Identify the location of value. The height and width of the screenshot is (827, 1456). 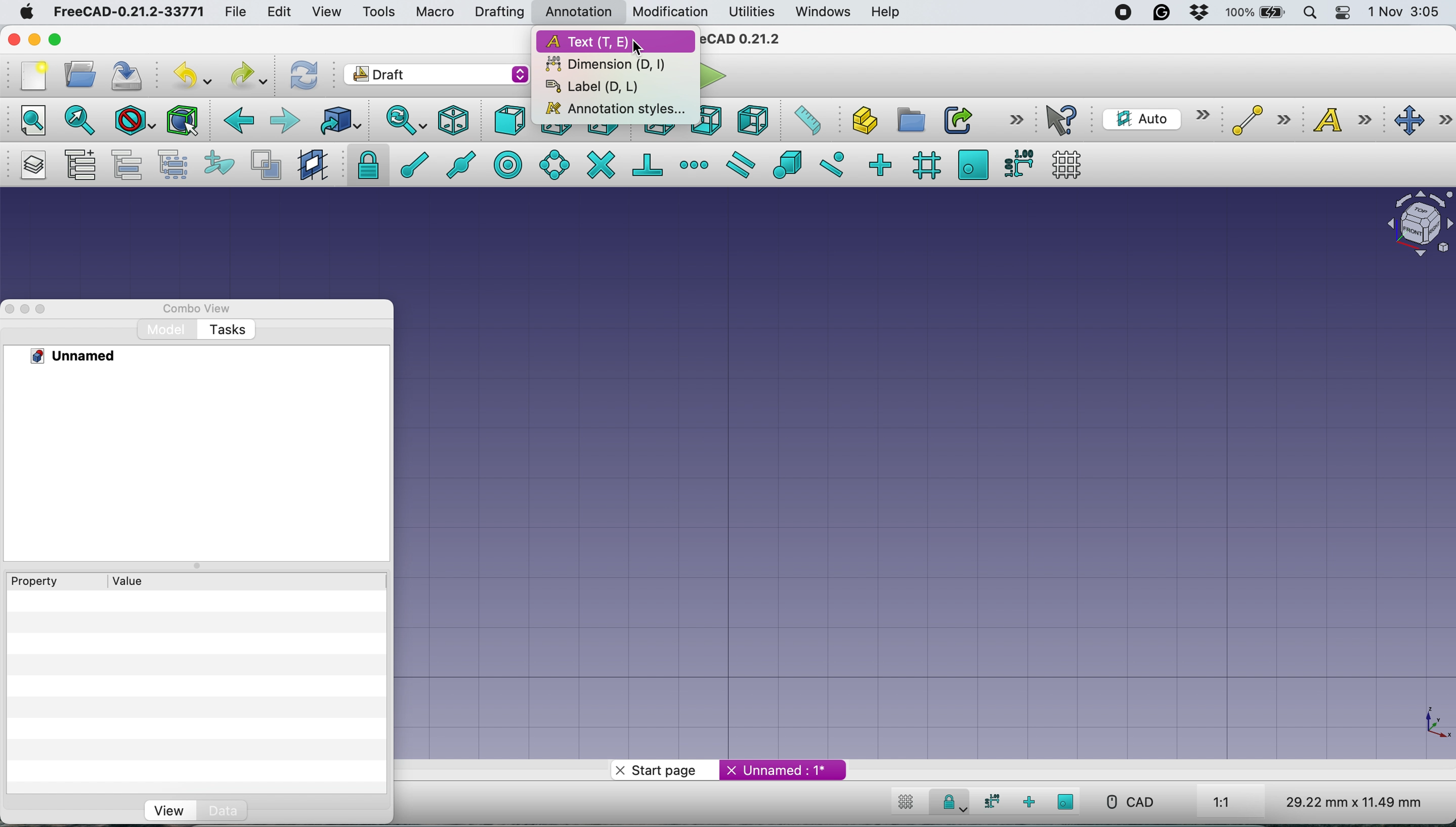
(126, 582).